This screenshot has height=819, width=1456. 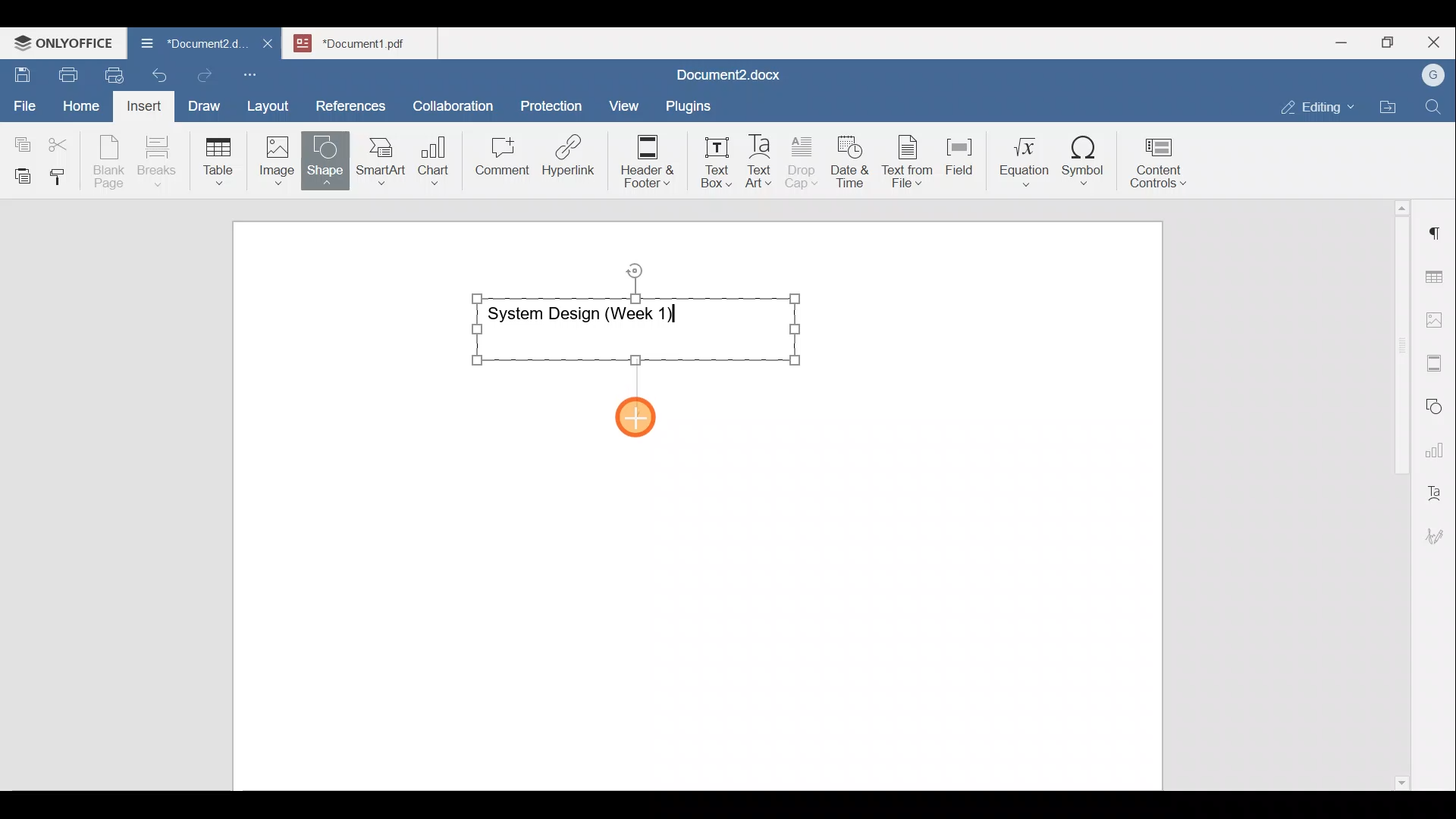 What do you see at coordinates (1439, 531) in the screenshot?
I see `Signature settings` at bounding box center [1439, 531].